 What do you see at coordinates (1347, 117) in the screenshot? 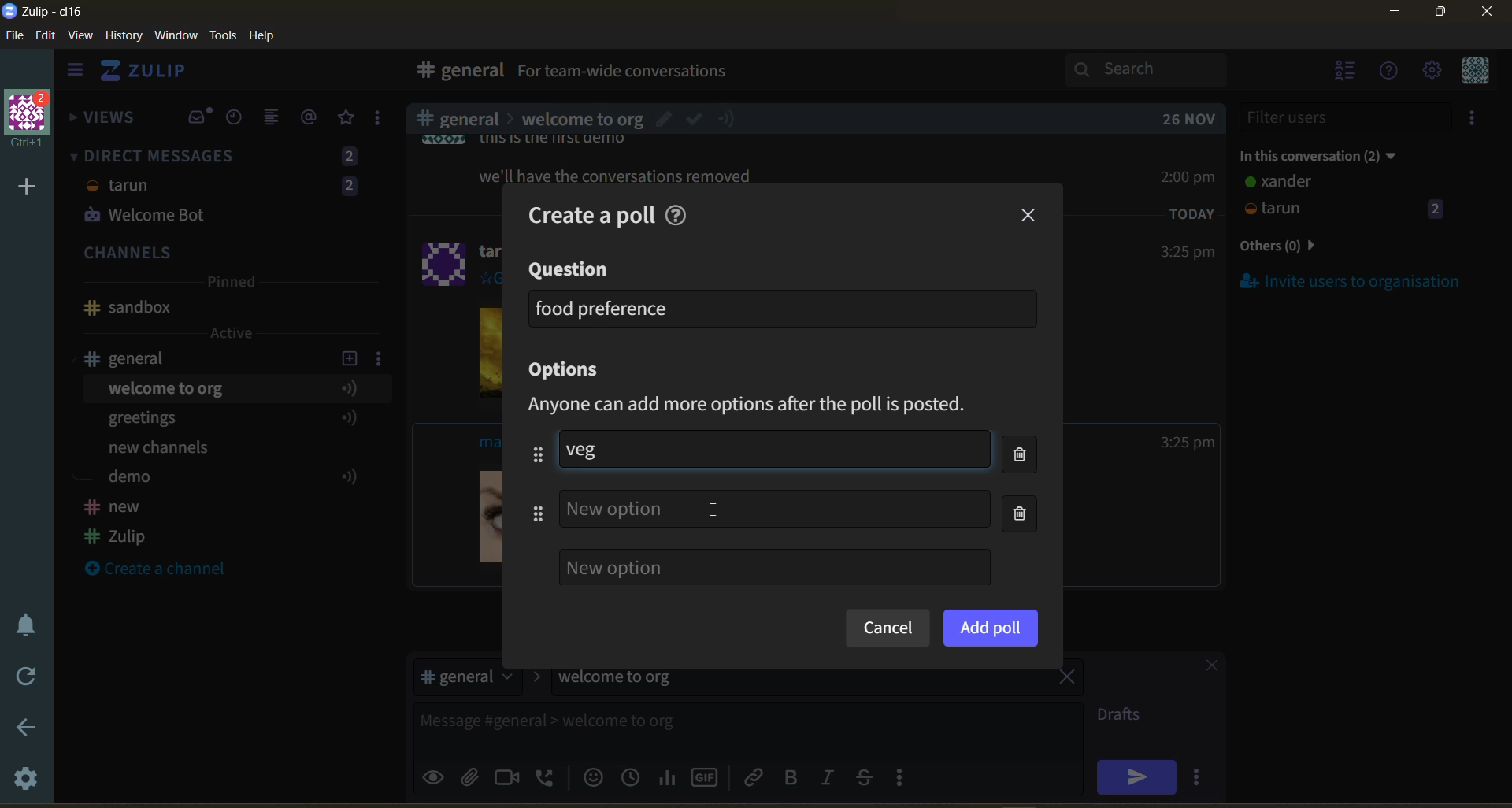
I see `filter users` at bounding box center [1347, 117].